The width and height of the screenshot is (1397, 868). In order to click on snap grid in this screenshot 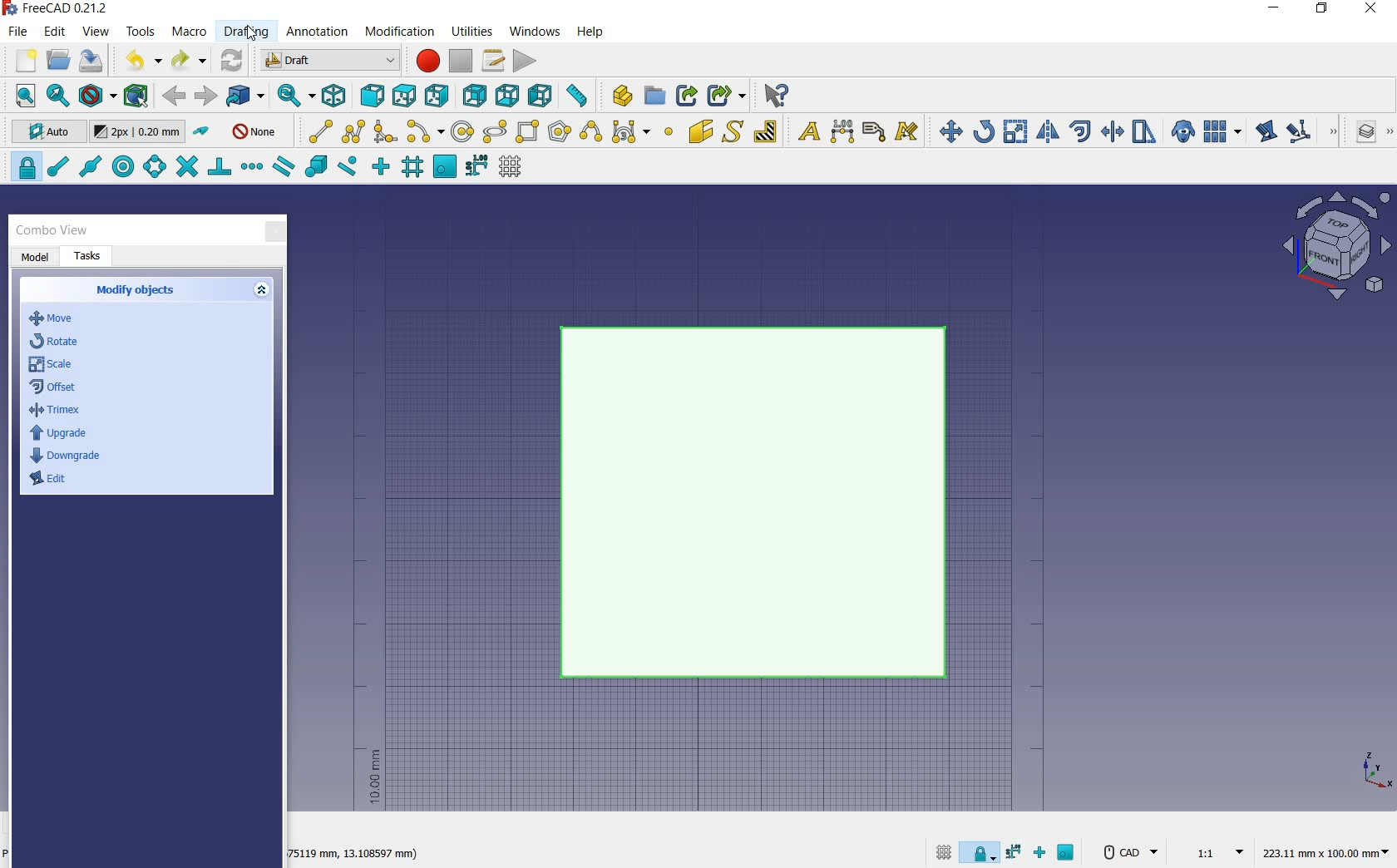, I will do `click(411, 169)`.